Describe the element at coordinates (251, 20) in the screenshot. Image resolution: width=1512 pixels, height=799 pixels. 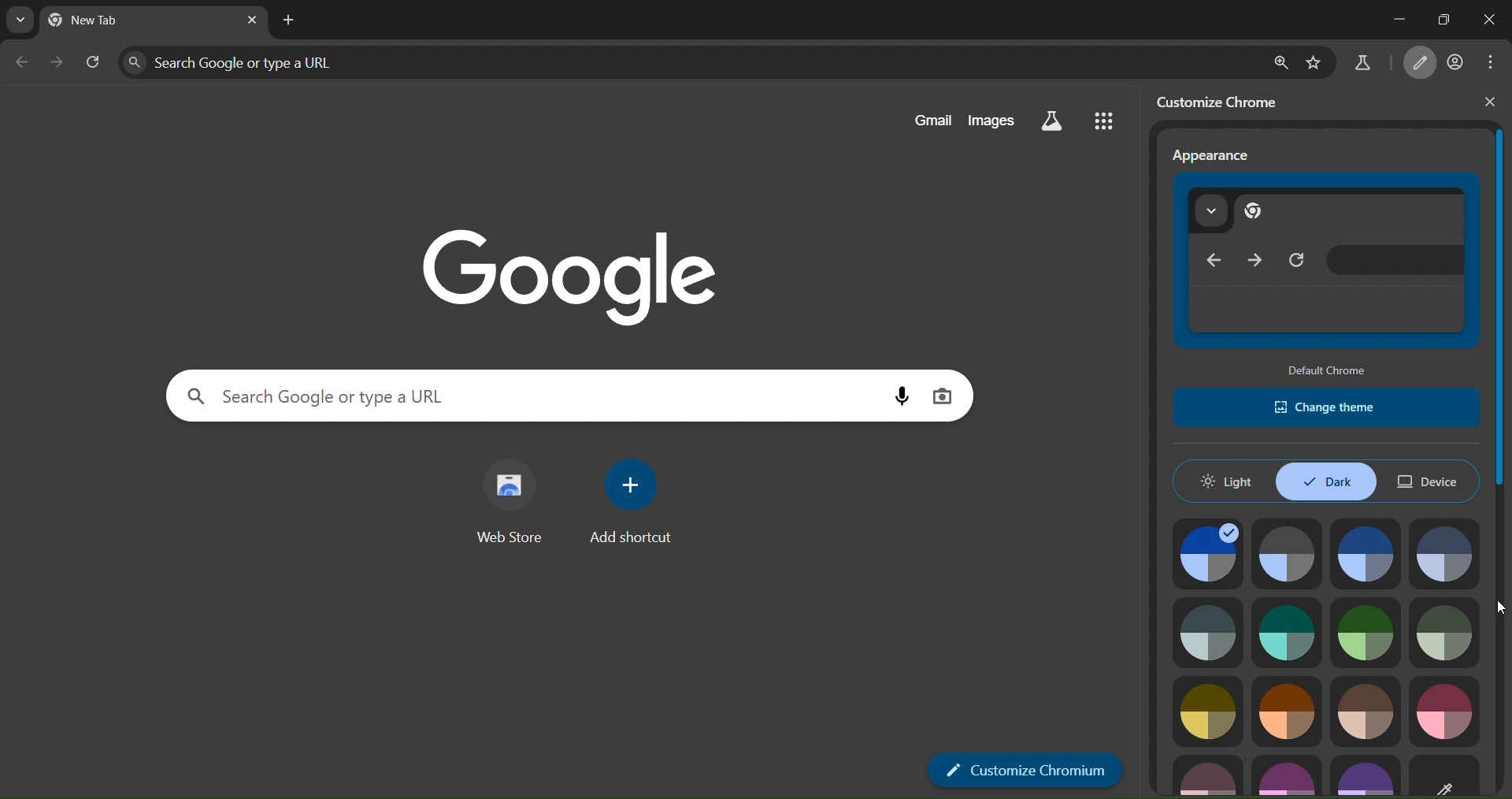
I see `close tab` at that location.